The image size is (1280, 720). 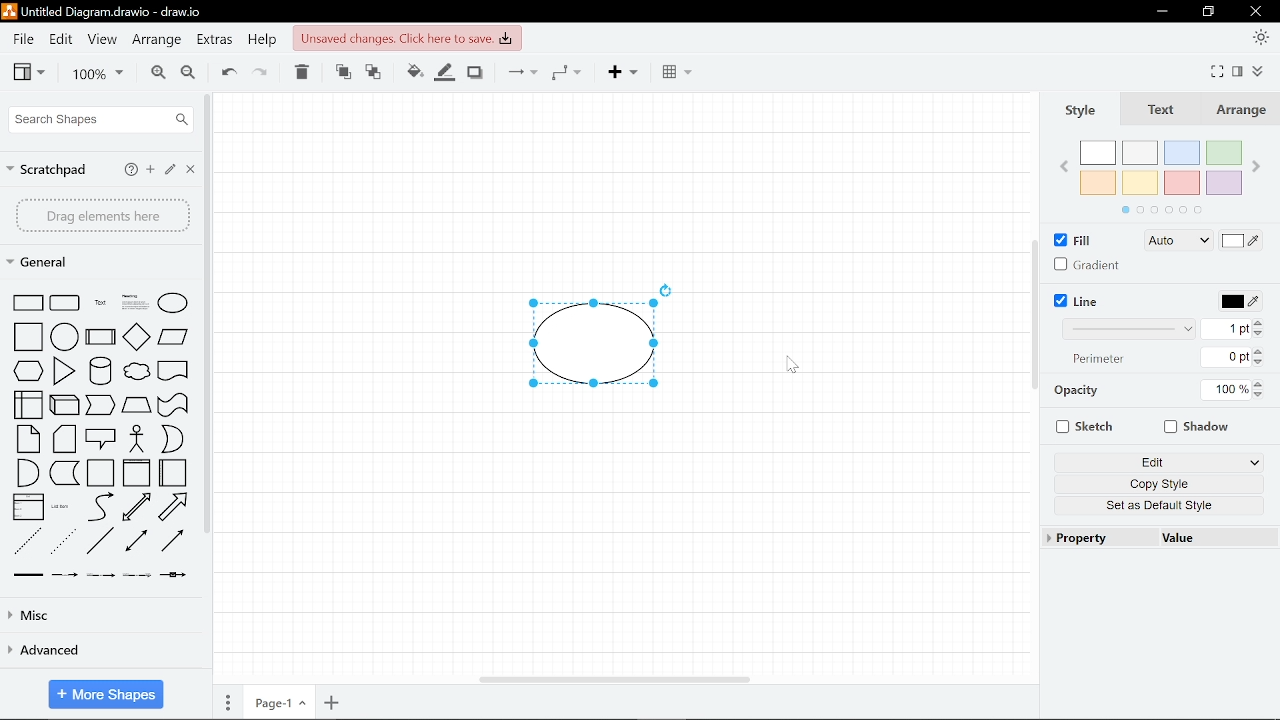 I want to click on Pages, so click(x=226, y=703).